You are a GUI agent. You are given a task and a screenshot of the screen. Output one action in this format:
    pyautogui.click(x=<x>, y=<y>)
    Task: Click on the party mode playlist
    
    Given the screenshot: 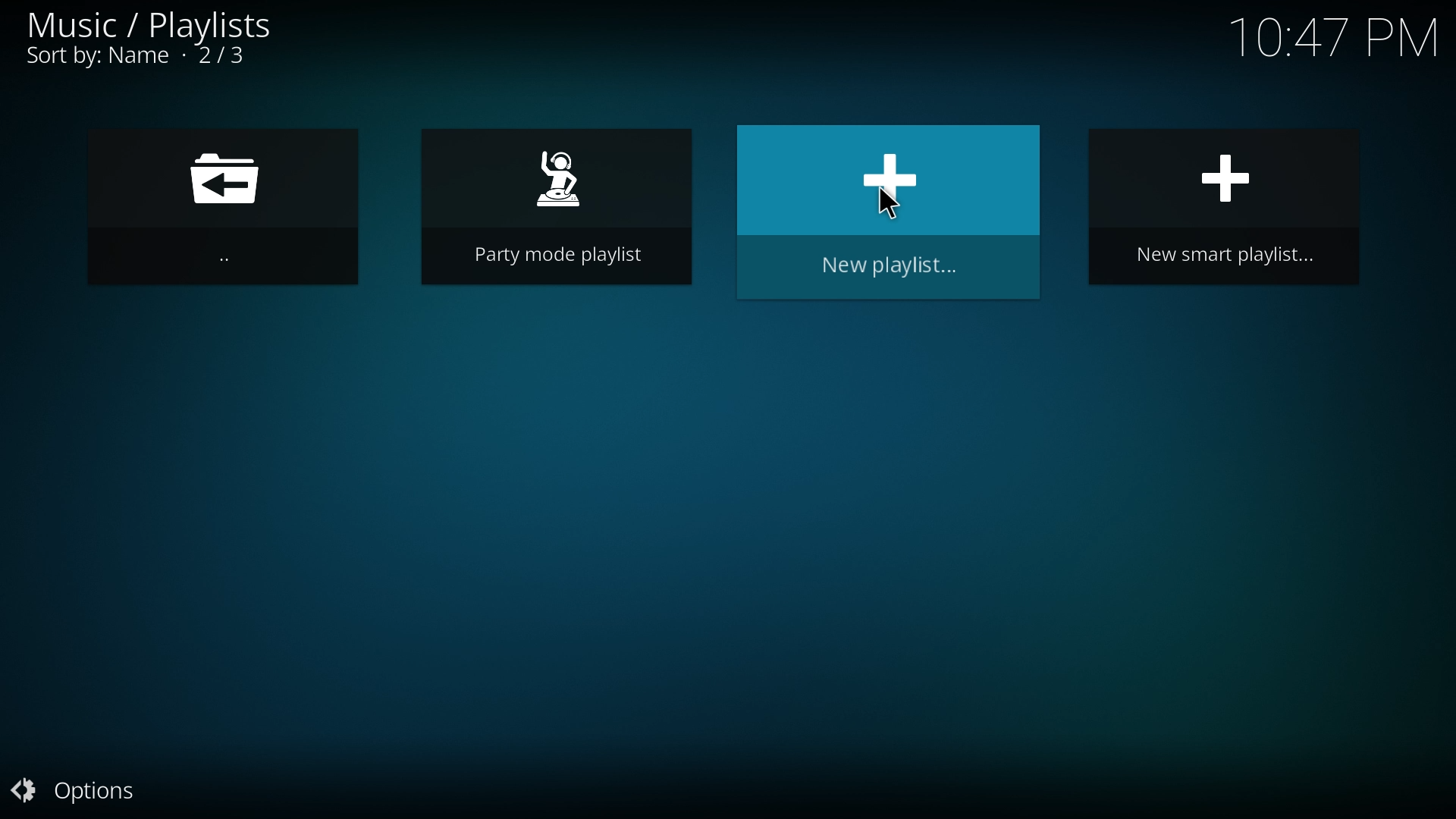 What is the action you would take?
    pyautogui.click(x=558, y=208)
    